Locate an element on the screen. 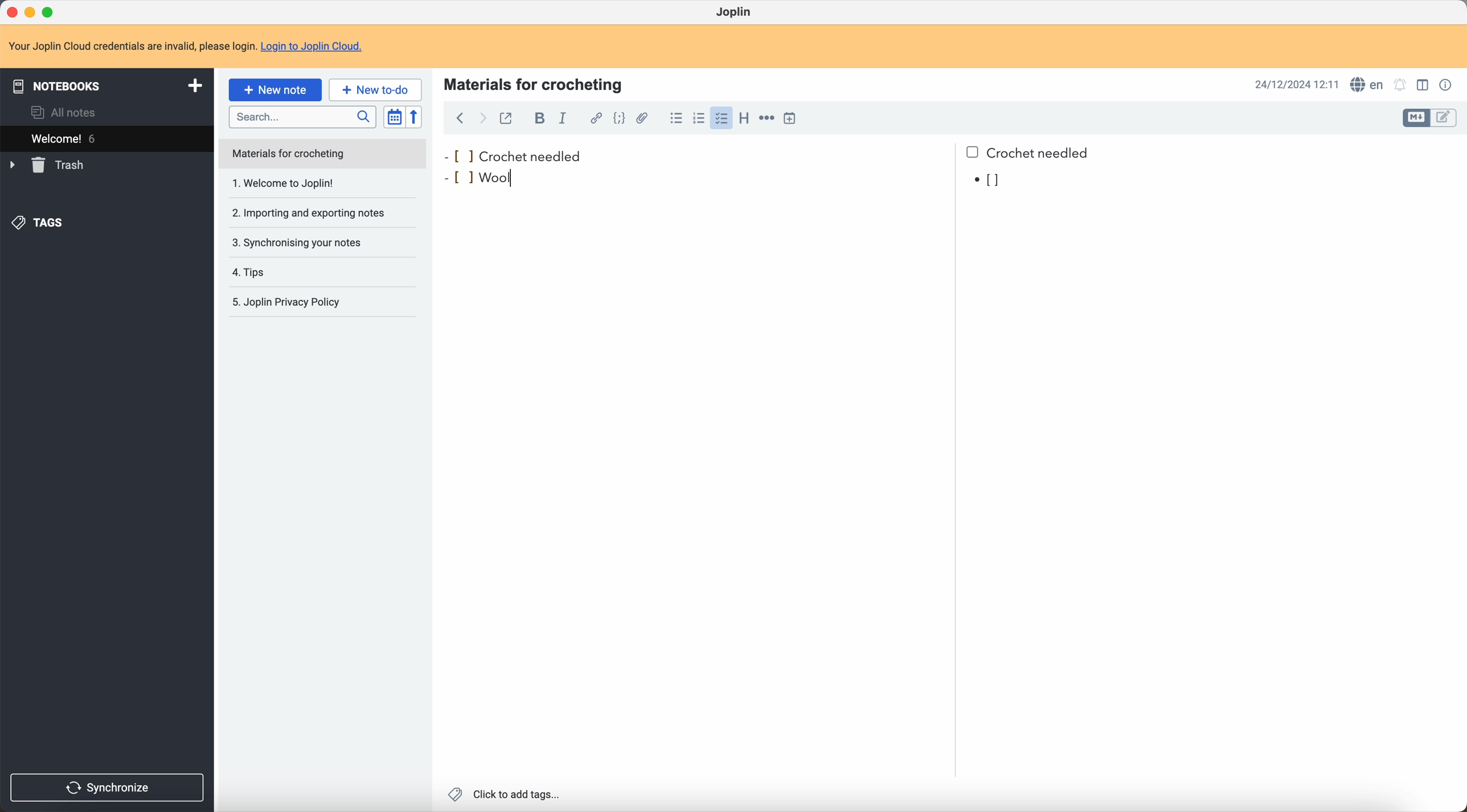 The image size is (1467, 812). hyperlink is located at coordinates (593, 118).